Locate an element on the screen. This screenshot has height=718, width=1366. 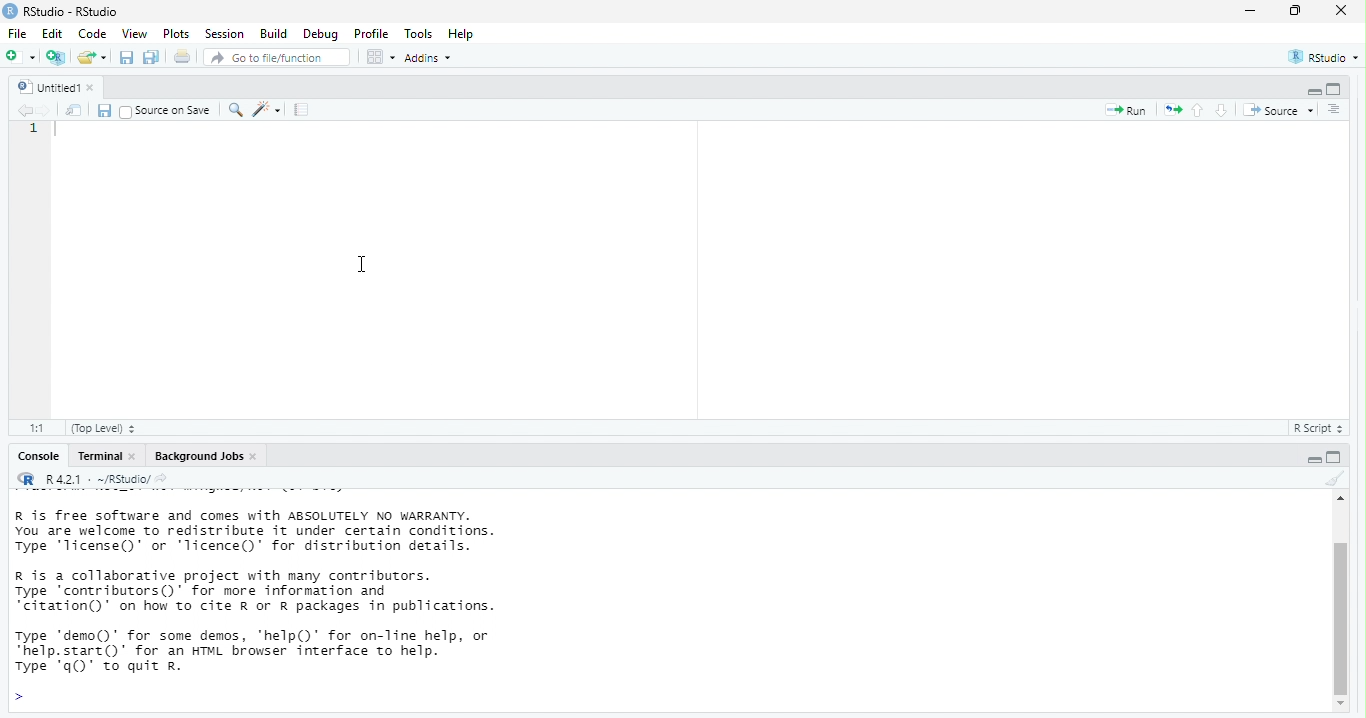
minimize is located at coordinates (1251, 11).